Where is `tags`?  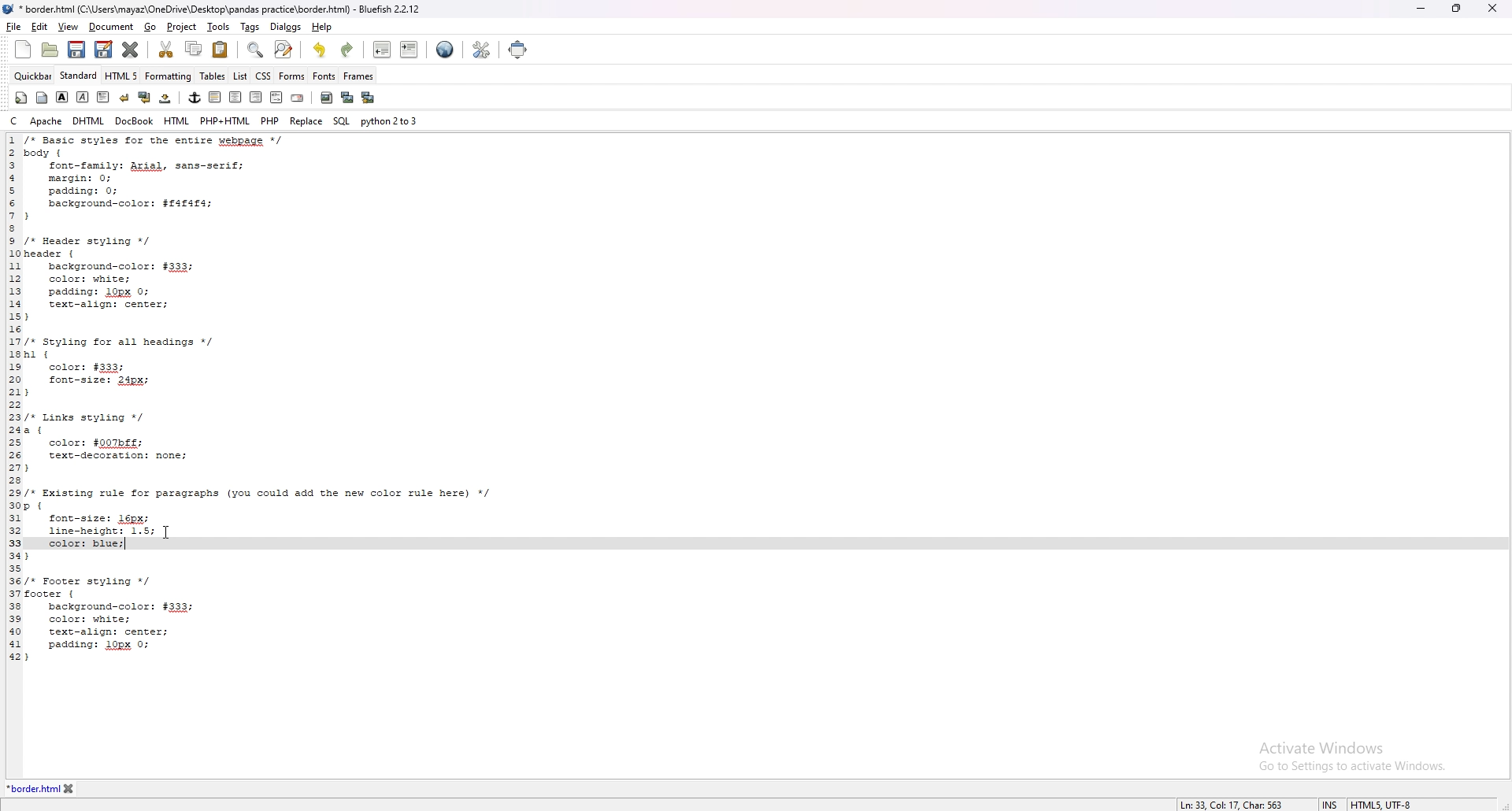
tags is located at coordinates (249, 26).